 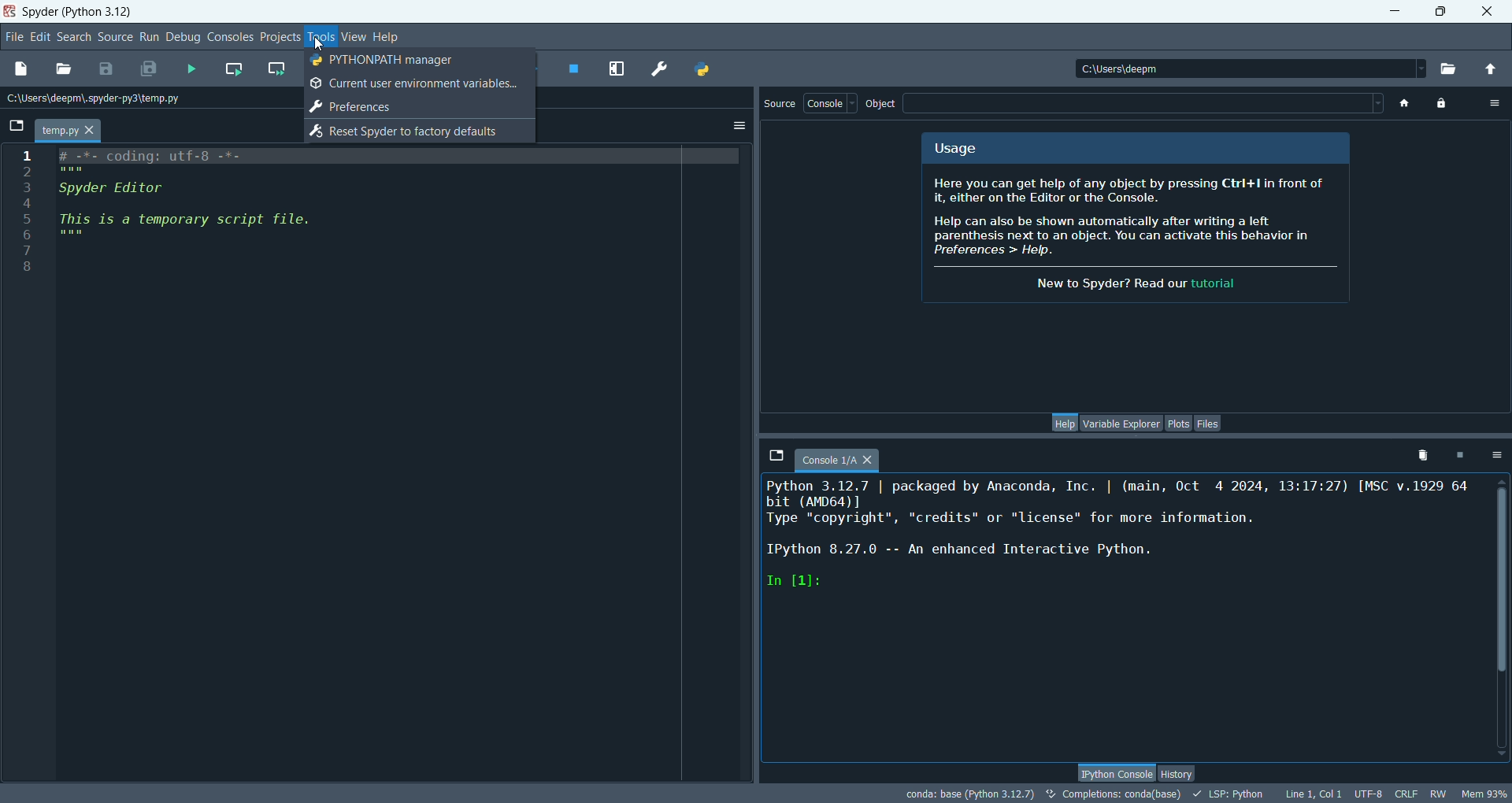 What do you see at coordinates (1114, 771) in the screenshot?
I see `IPython console` at bounding box center [1114, 771].